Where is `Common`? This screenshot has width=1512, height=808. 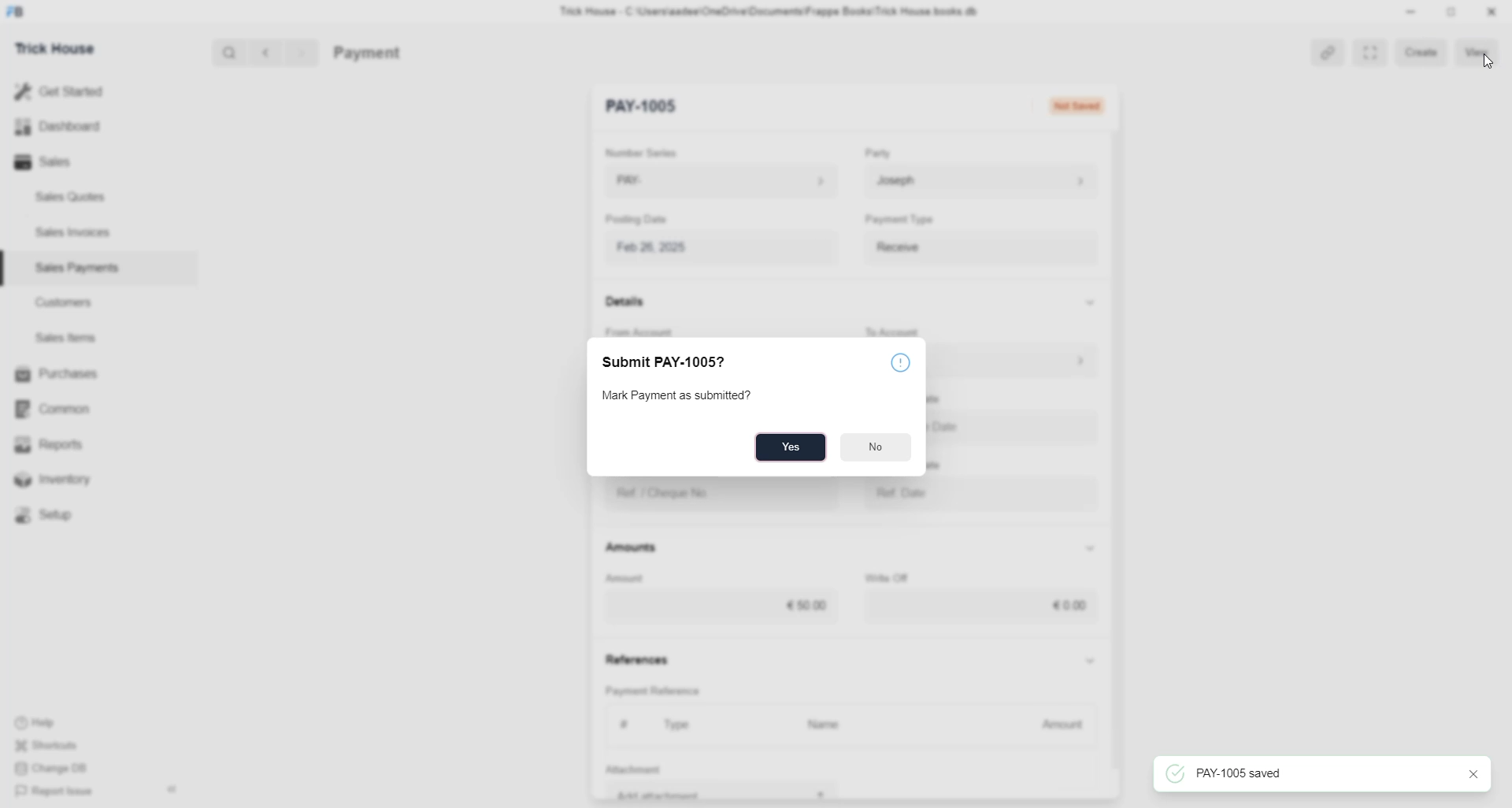 Common is located at coordinates (60, 410).